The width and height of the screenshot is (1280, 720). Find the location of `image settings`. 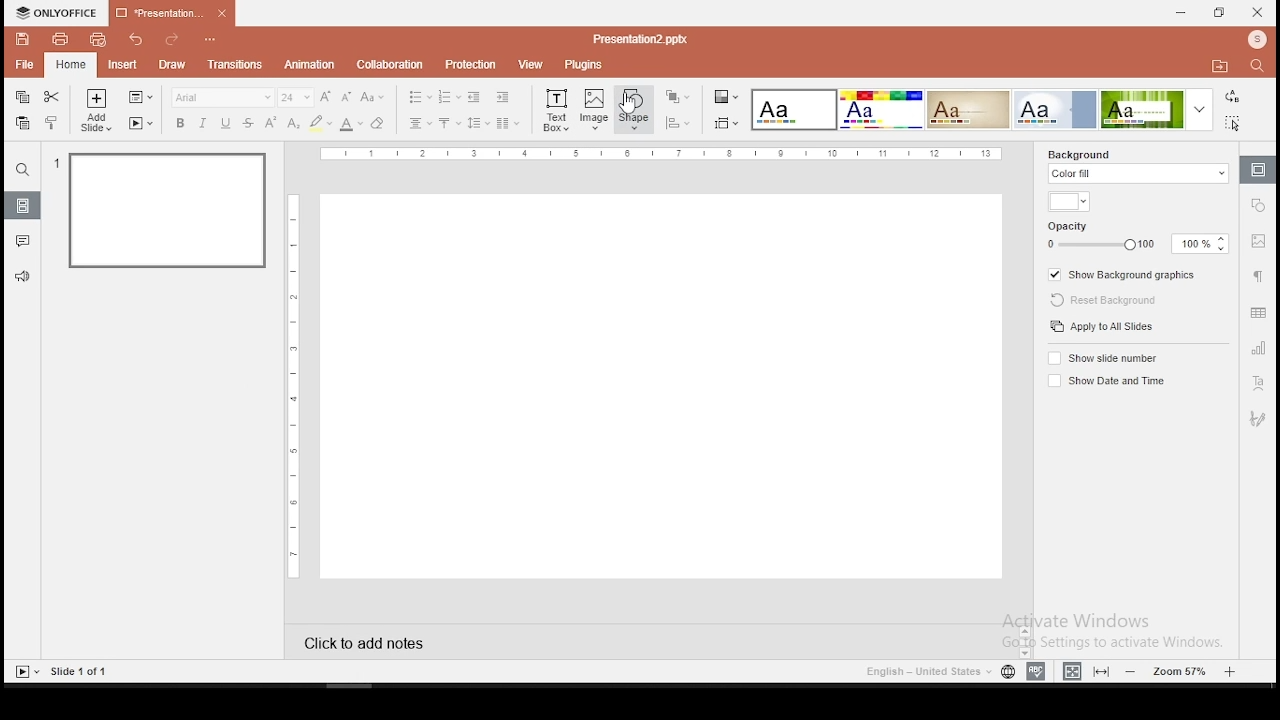

image settings is located at coordinates (1259, 241).